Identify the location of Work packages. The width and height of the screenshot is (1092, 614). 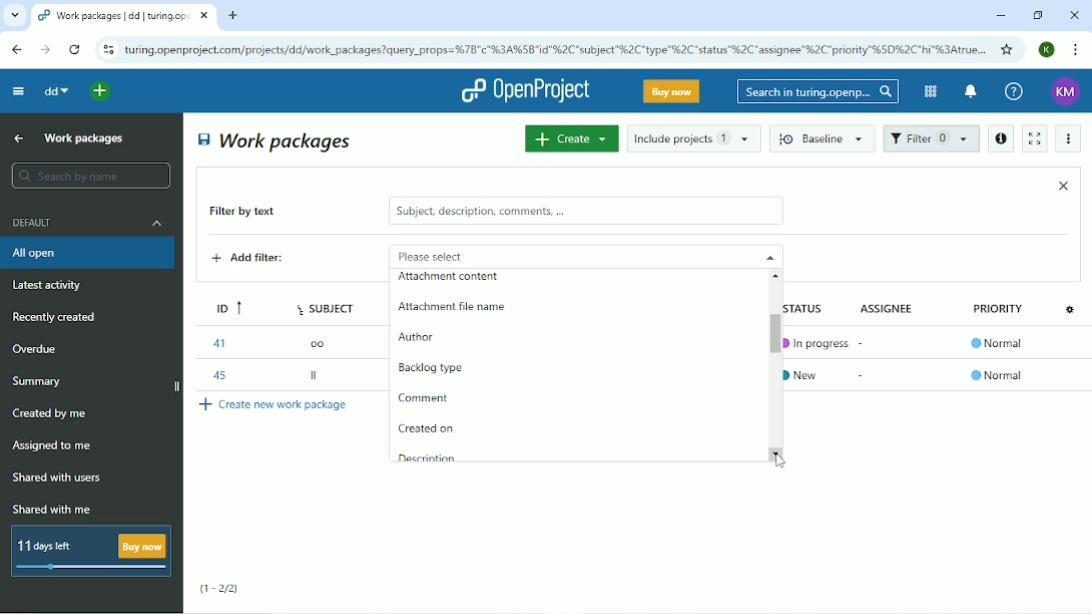
(276, 140).